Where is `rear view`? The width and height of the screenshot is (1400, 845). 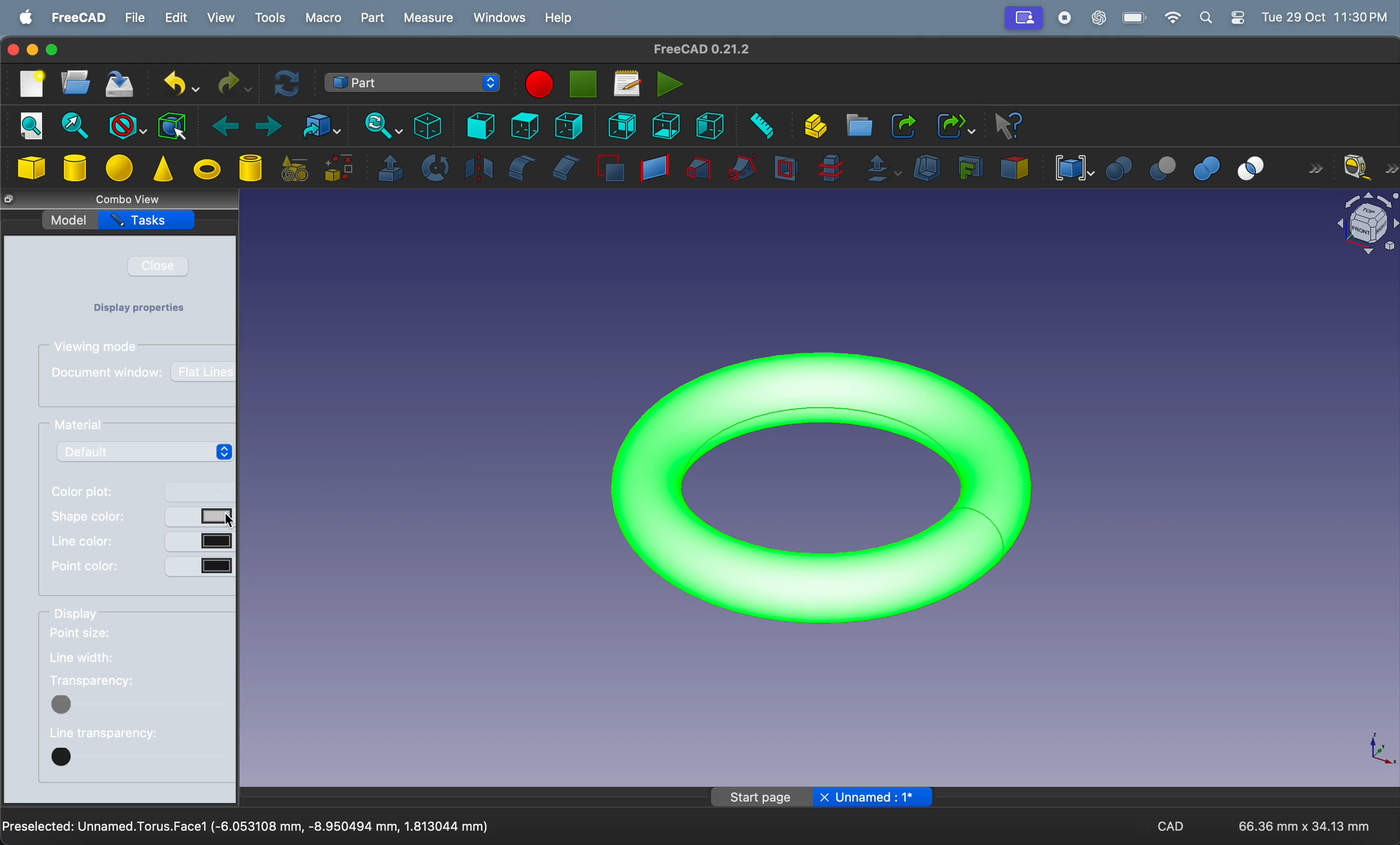 rear view is located at coordinates (622, 126).